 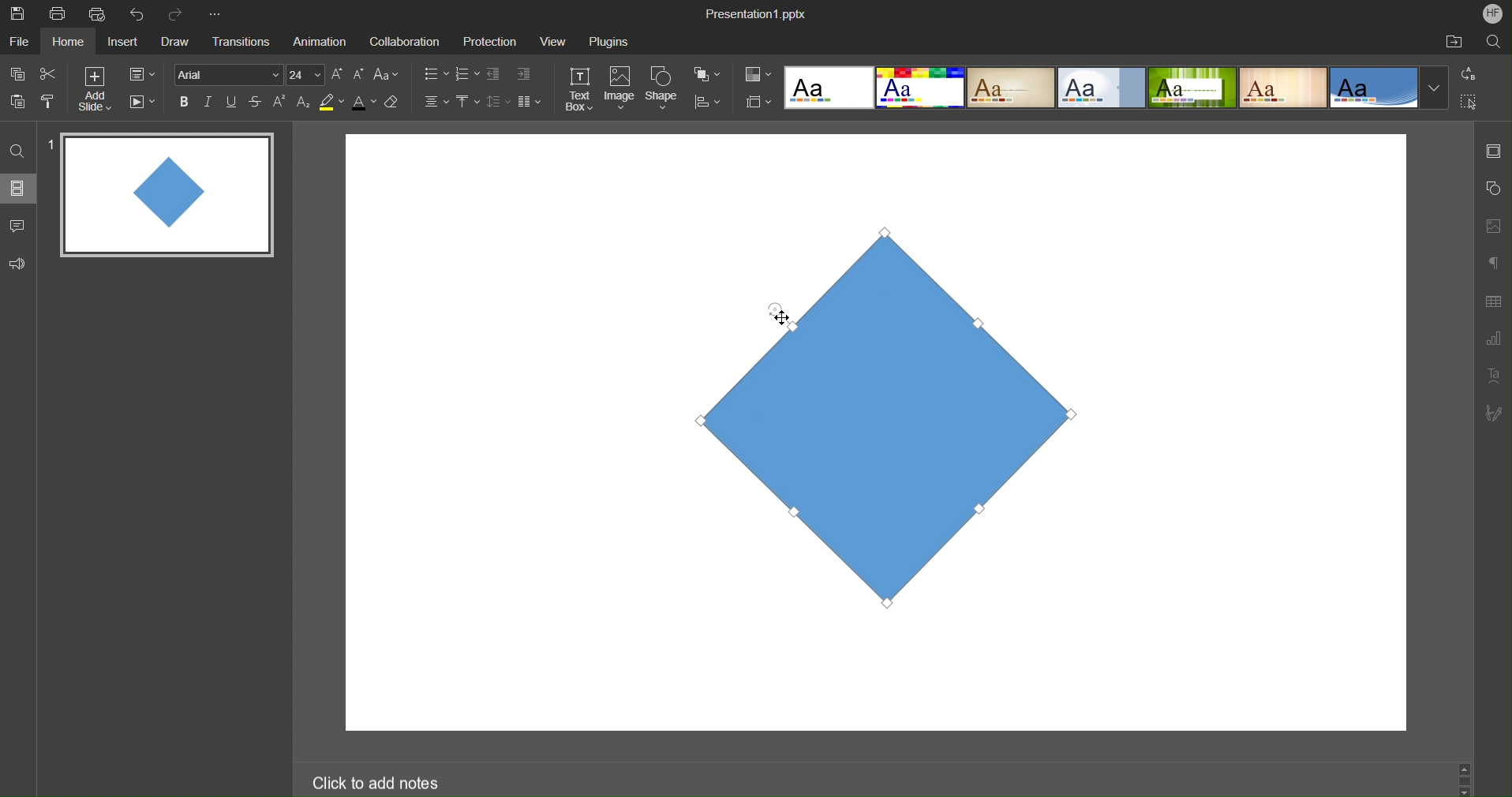 What do you see at coordinates (1491, 189) in the screenshot?
I see `Shape Settings` at bounding box center [1491, 189].